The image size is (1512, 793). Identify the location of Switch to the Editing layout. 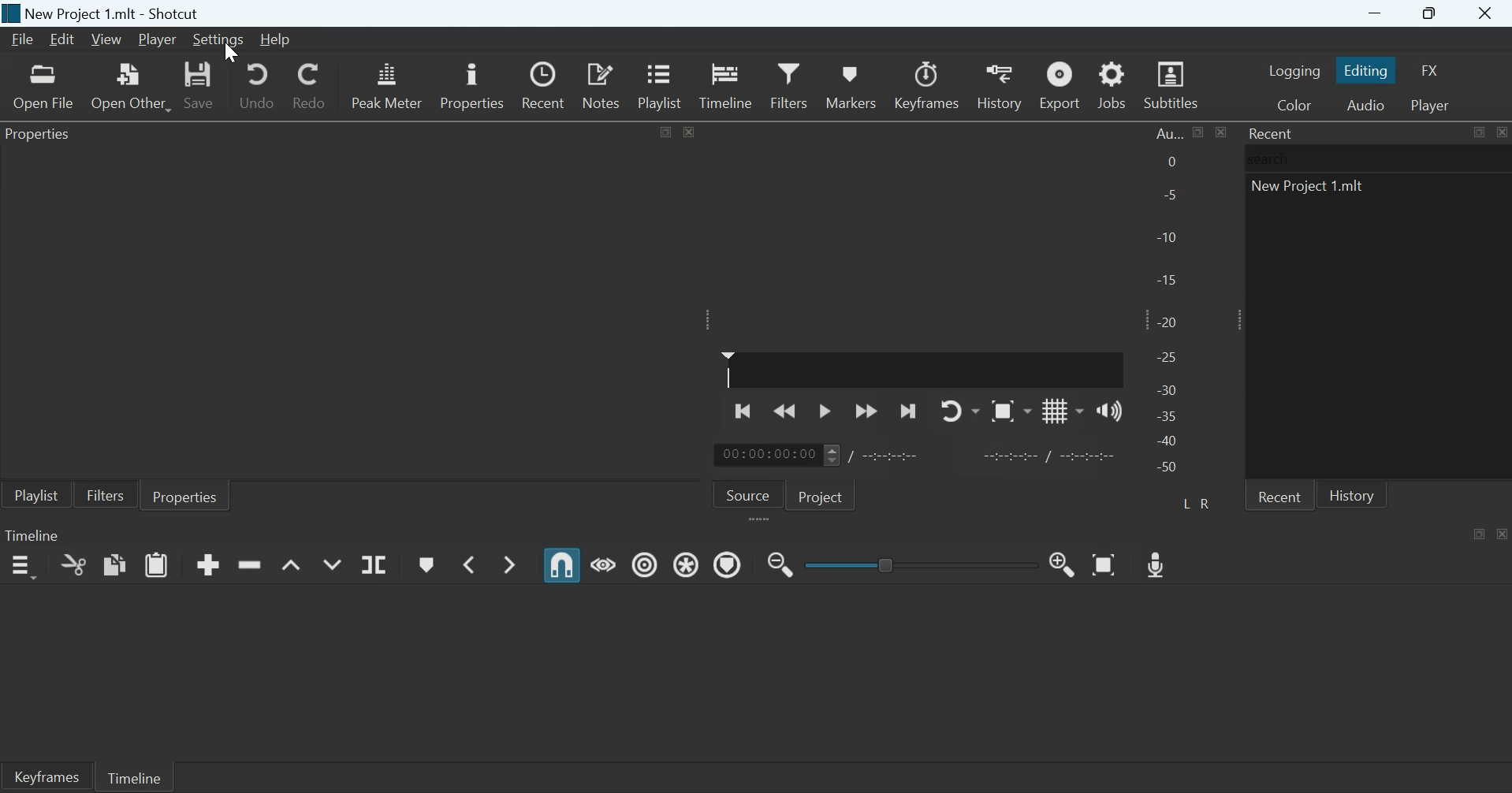
(1368, 70).